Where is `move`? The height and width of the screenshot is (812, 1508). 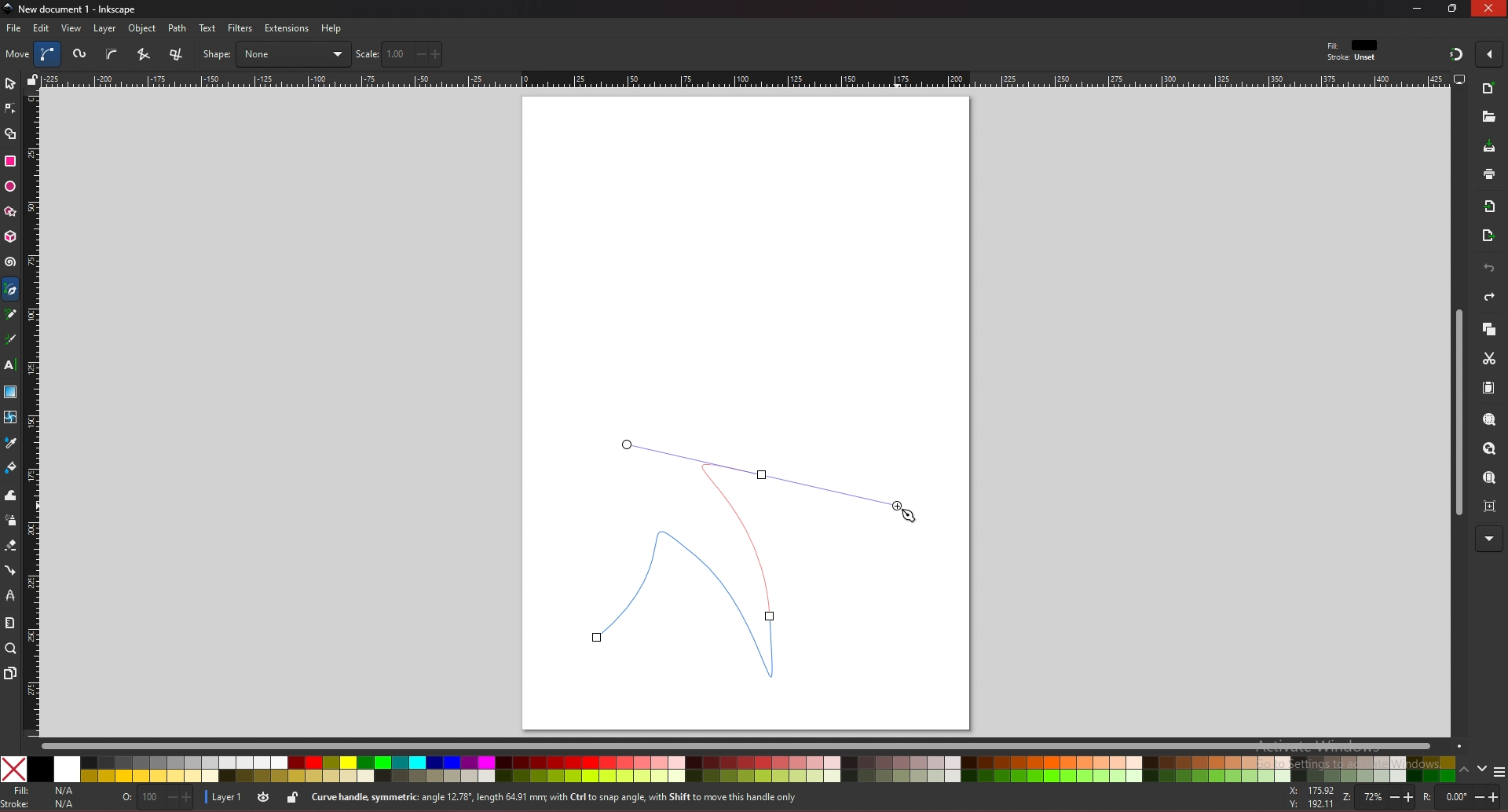
move is located at coordinates (18, 53).